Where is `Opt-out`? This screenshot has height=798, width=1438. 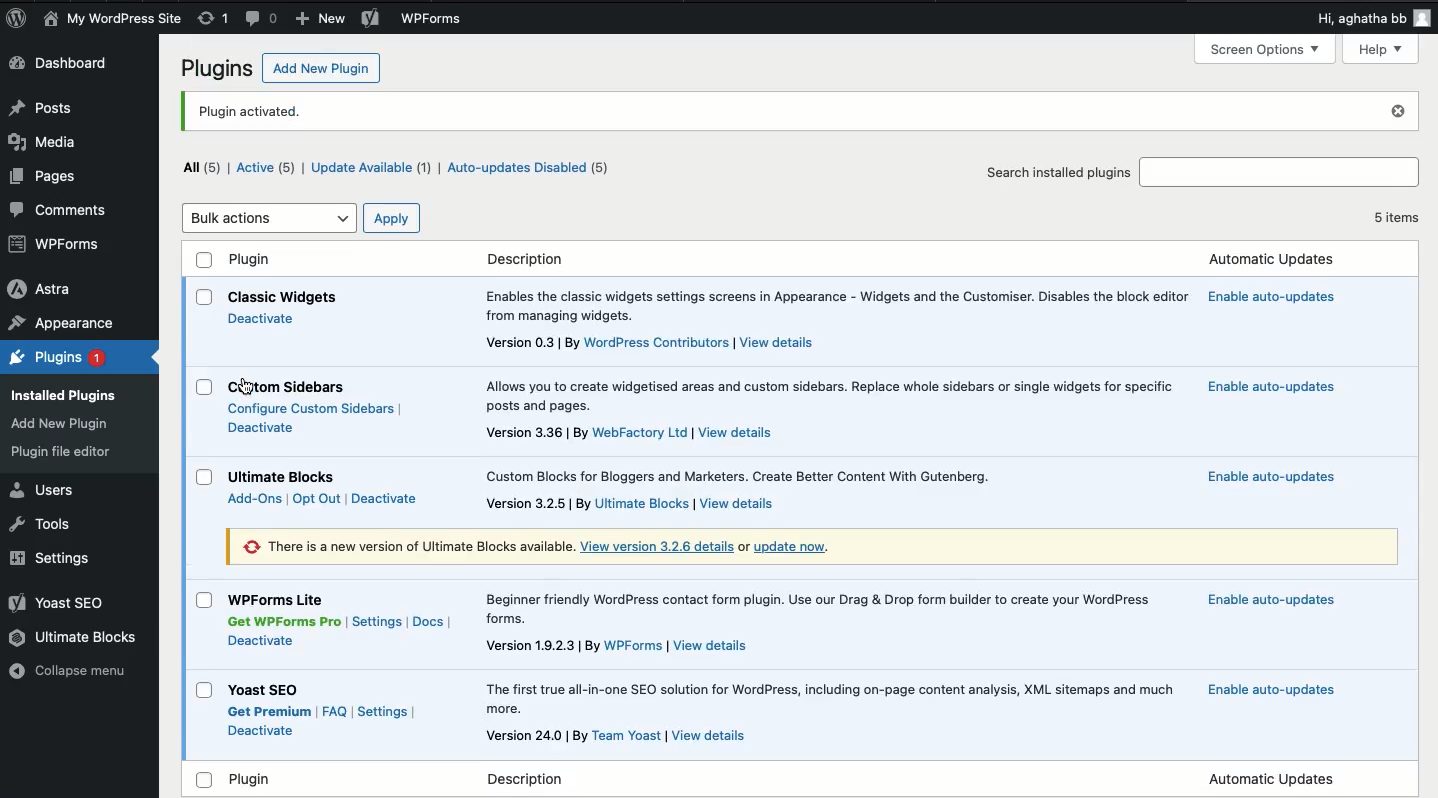
Opt-out is located at coordinates (314, 502).